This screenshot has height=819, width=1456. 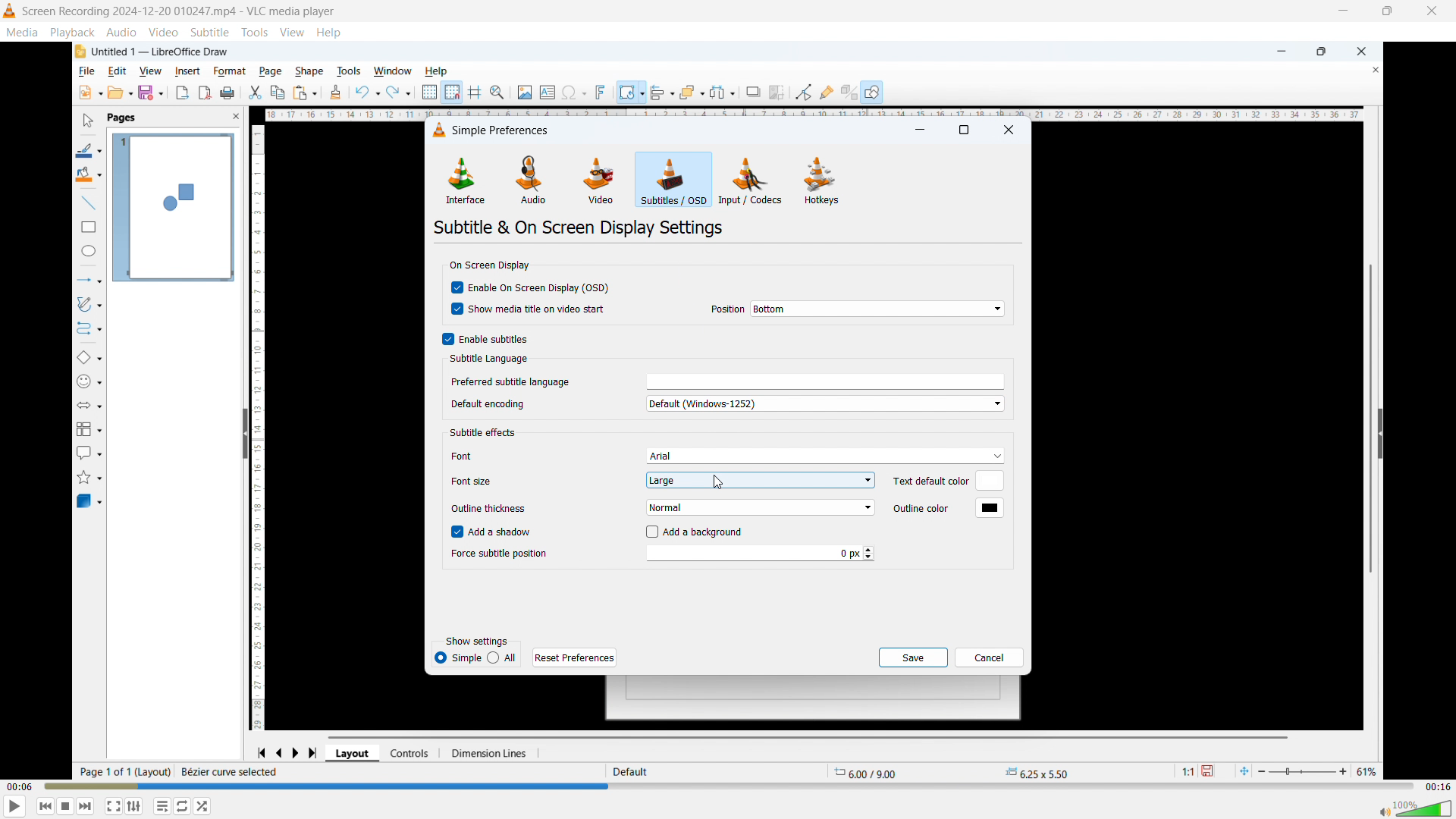 What do you see at coordinates (21, 33) in the screenshot?
I see `Media ` at bounding box center [21, 33].